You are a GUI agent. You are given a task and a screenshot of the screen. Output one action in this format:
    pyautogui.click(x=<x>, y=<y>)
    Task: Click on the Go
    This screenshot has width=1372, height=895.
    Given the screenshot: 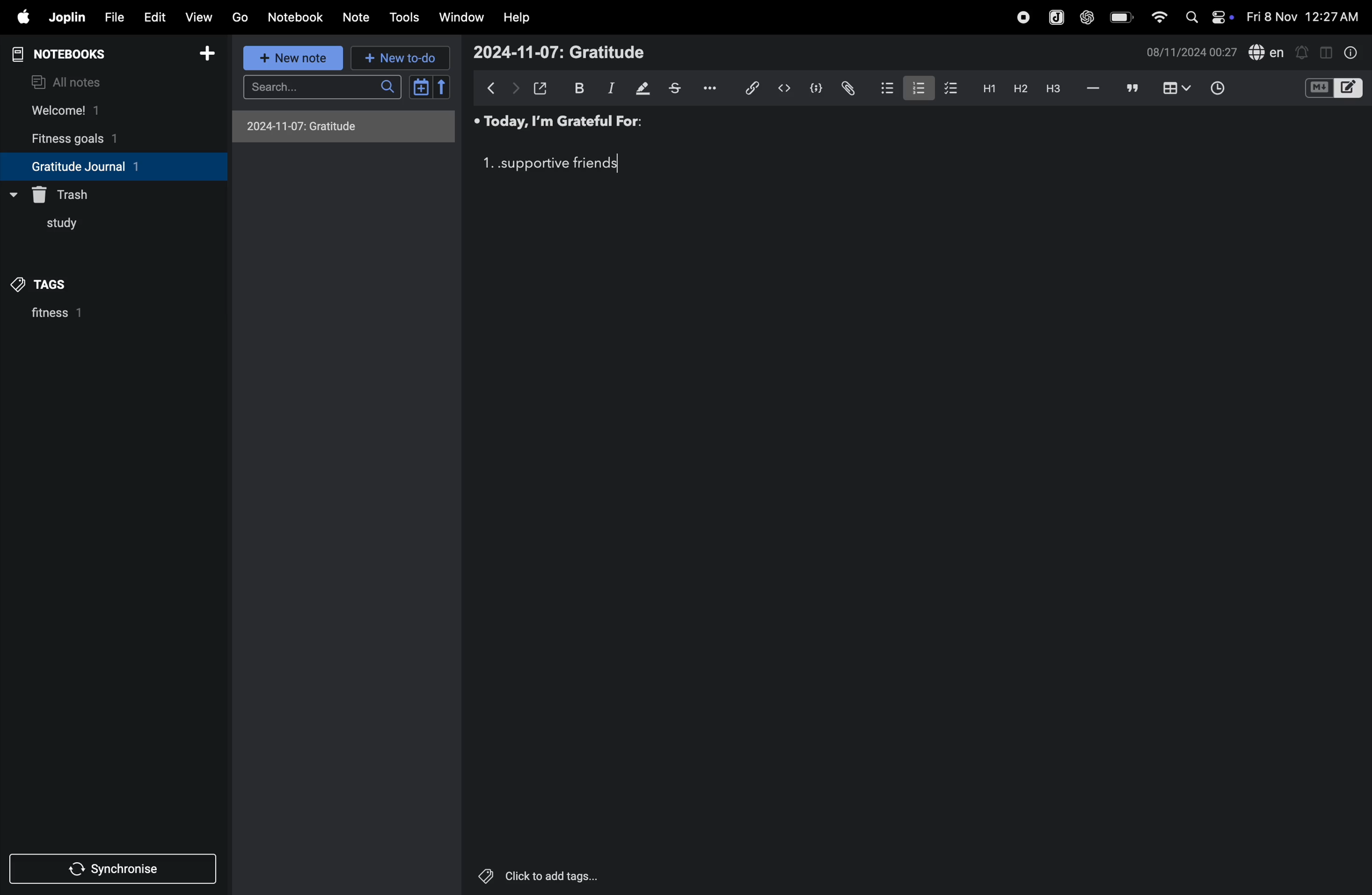 What is the action you would take?
    pyautogui.click(x=240, y=16)
    